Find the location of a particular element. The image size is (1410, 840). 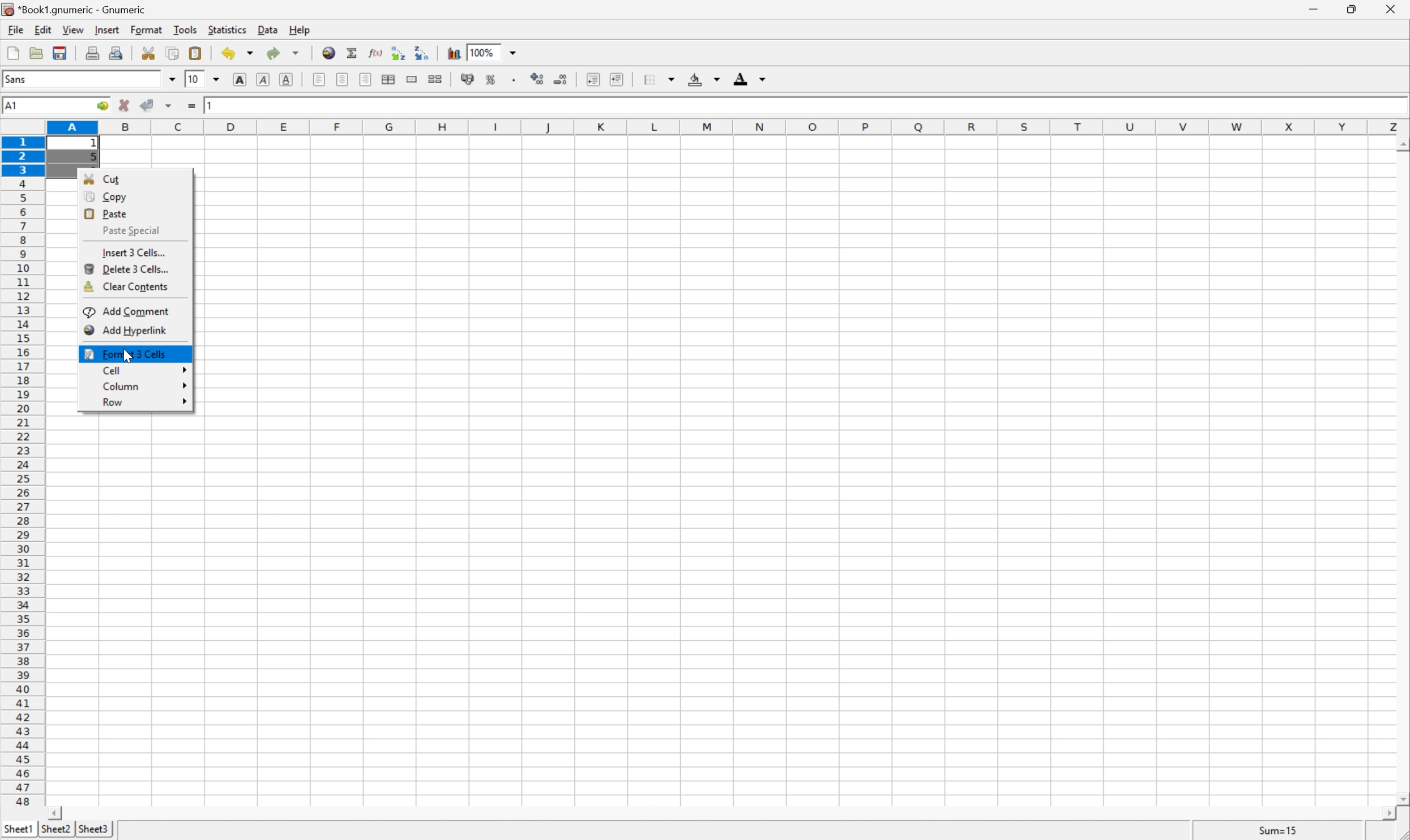

cursor is located at coordinates (129, 354).